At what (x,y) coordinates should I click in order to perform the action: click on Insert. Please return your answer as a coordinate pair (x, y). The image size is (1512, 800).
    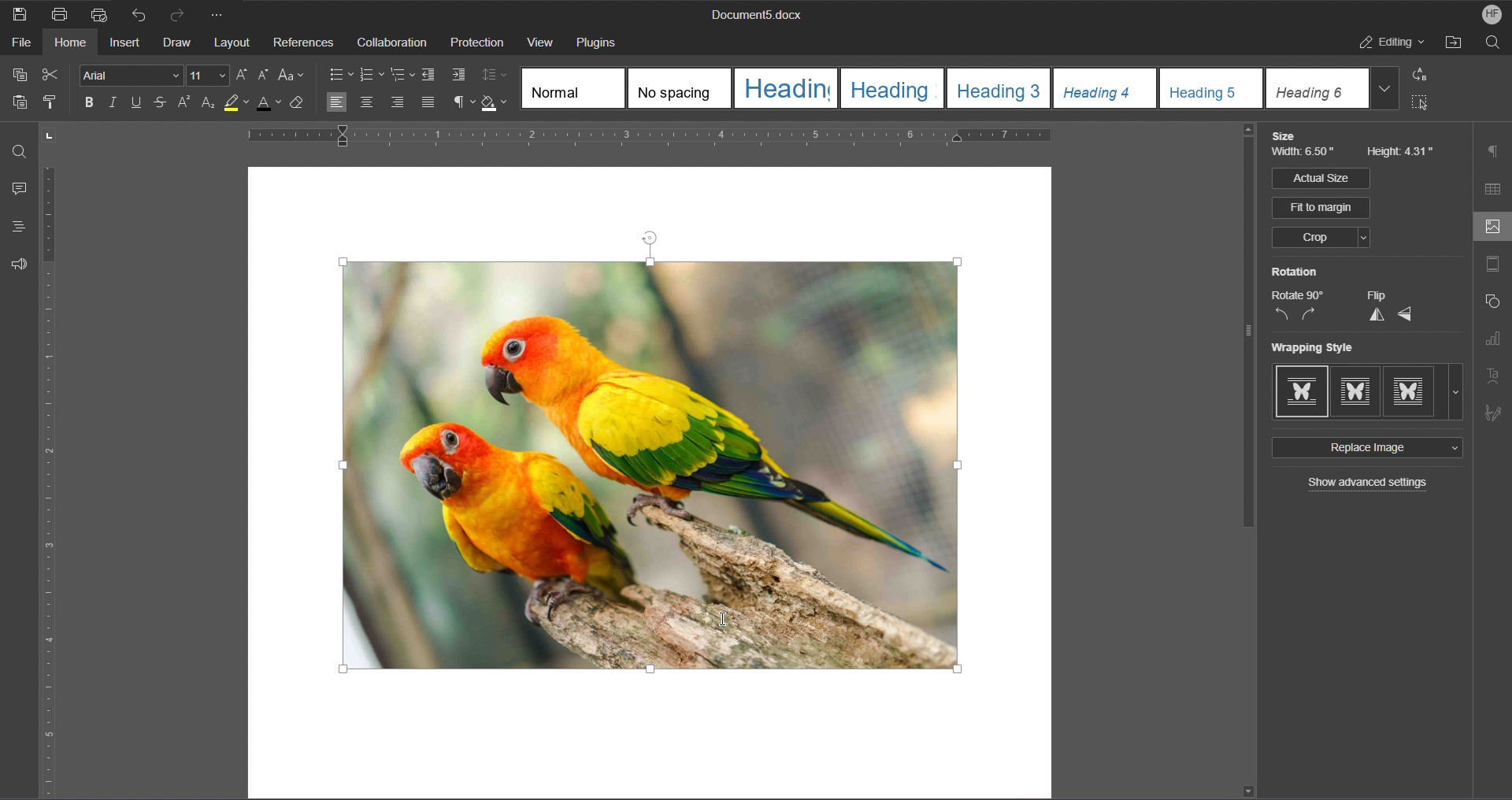
    Looking at the image, I should click on (127, 44).